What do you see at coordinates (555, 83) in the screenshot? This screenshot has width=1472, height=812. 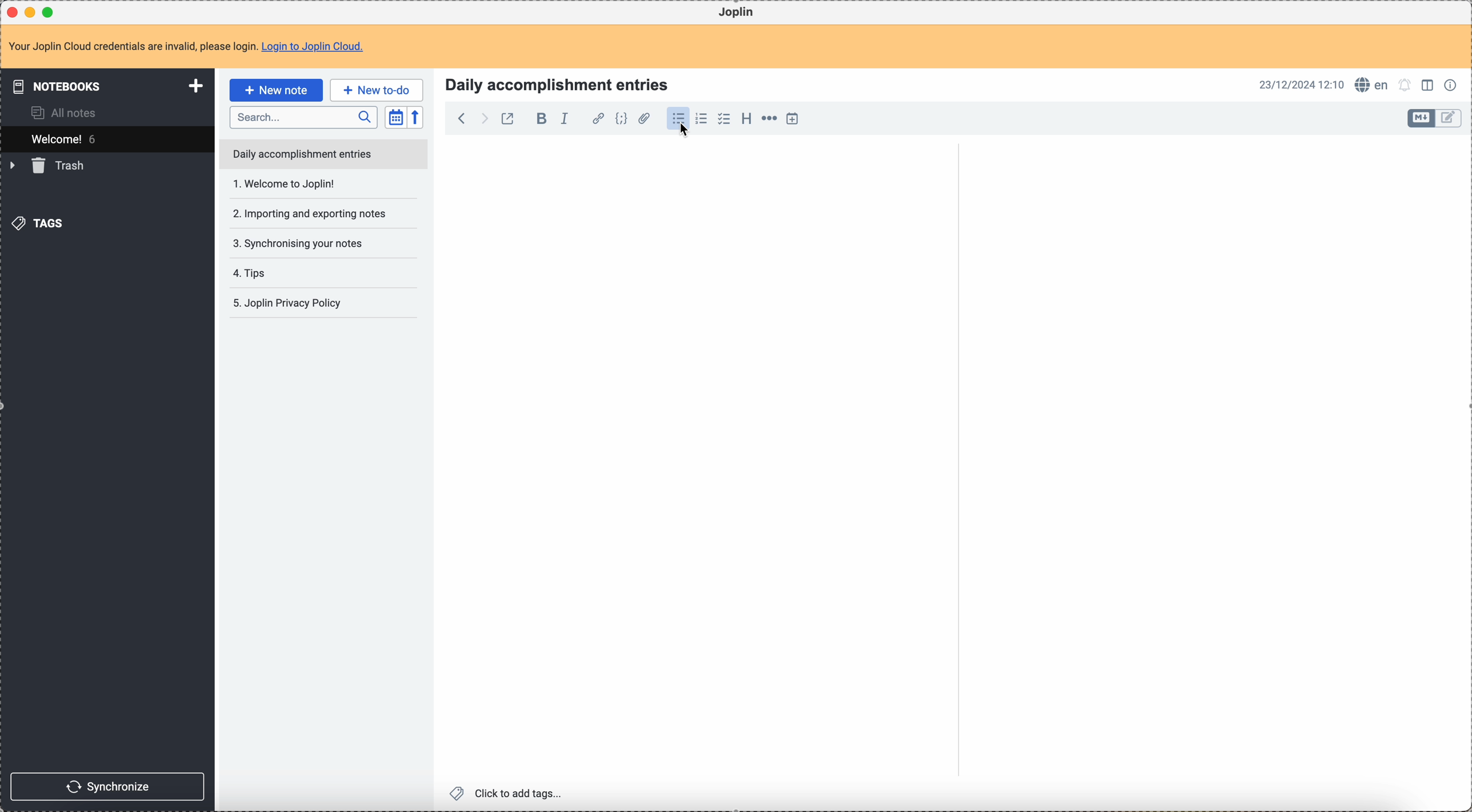 I see `Title` at bounding box center [555, 83].